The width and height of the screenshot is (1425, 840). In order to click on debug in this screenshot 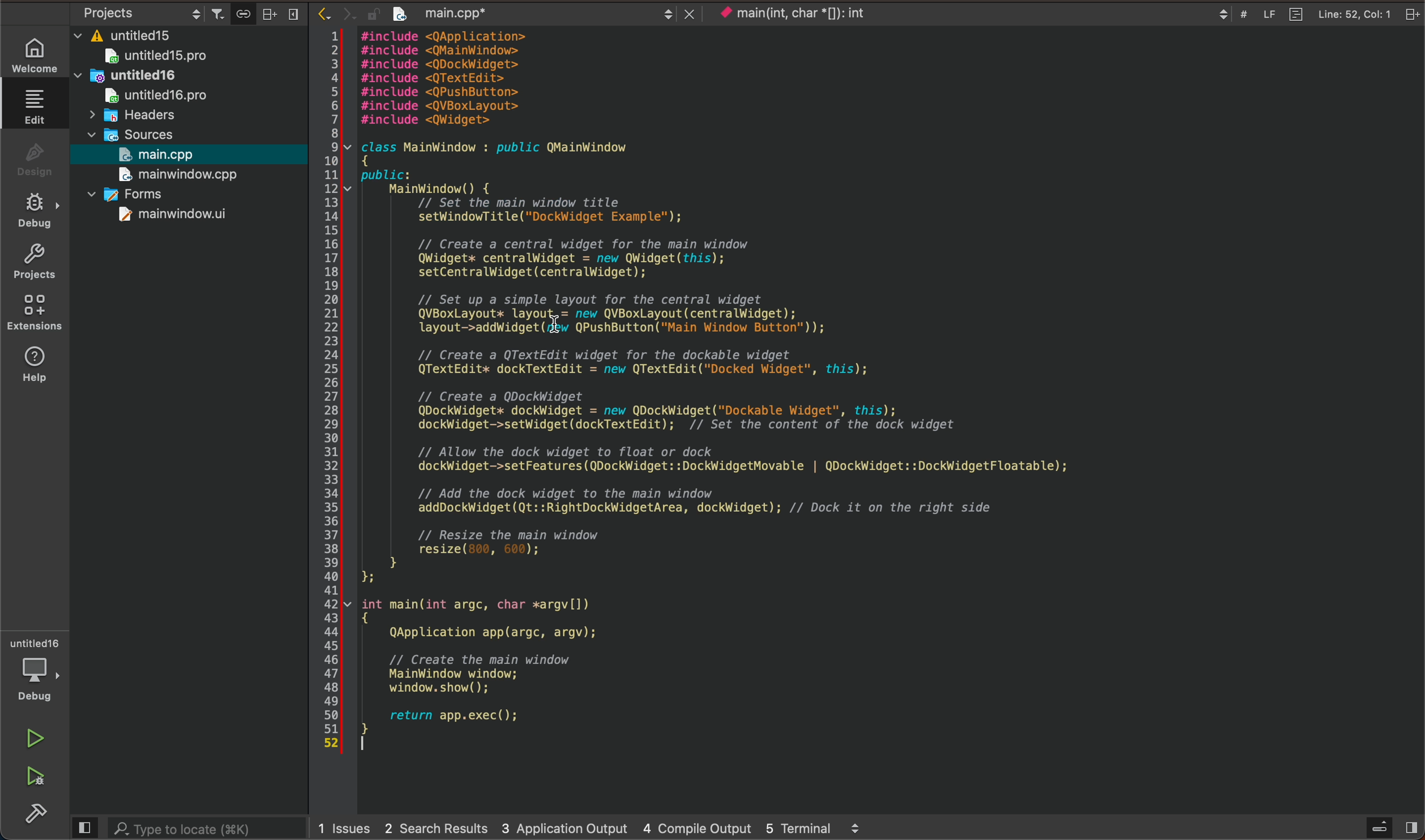, I will do `click(37, 209)`.